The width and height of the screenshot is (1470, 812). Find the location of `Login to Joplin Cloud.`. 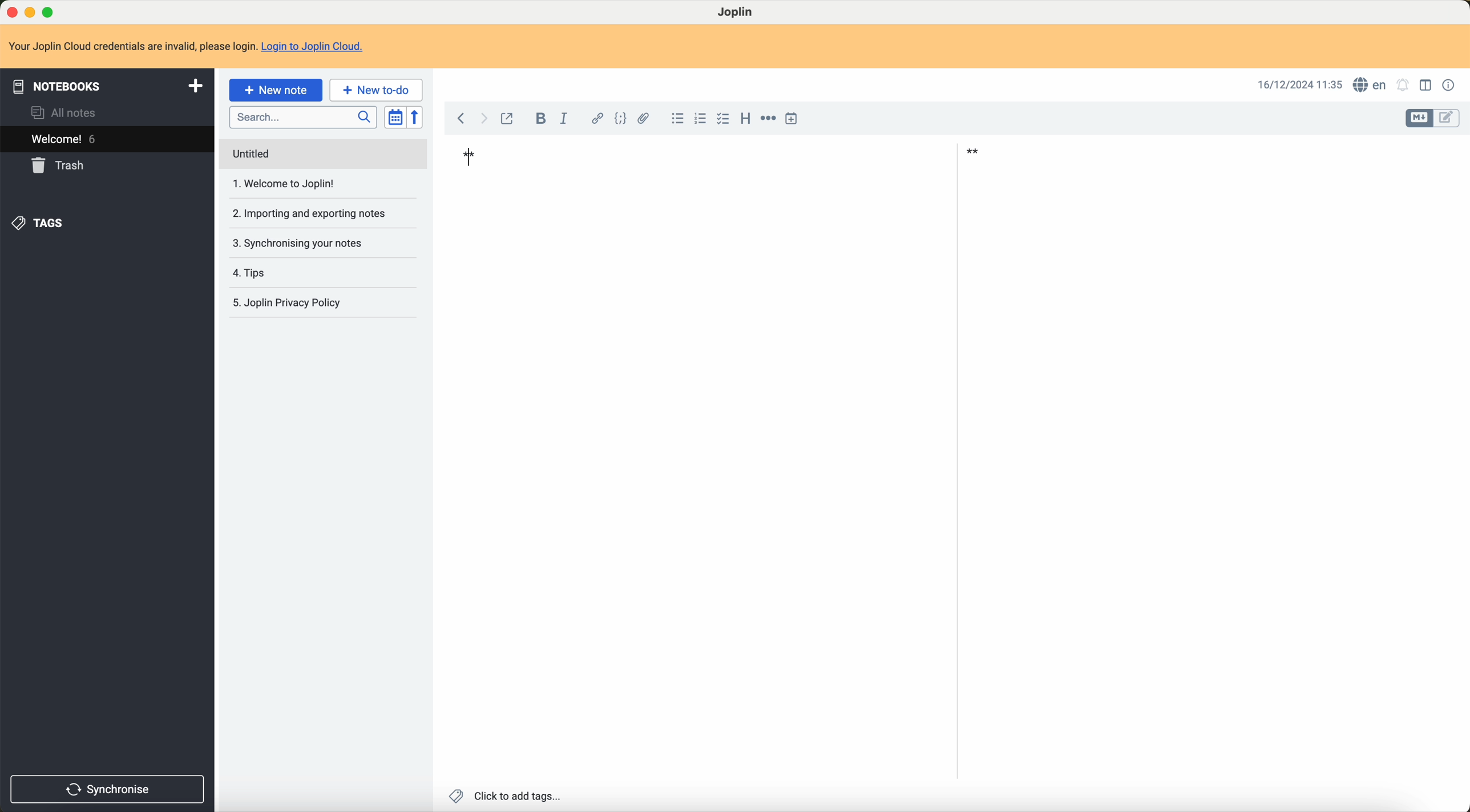

Login to Joplin Cloud. is located at coordinates (319, 47).